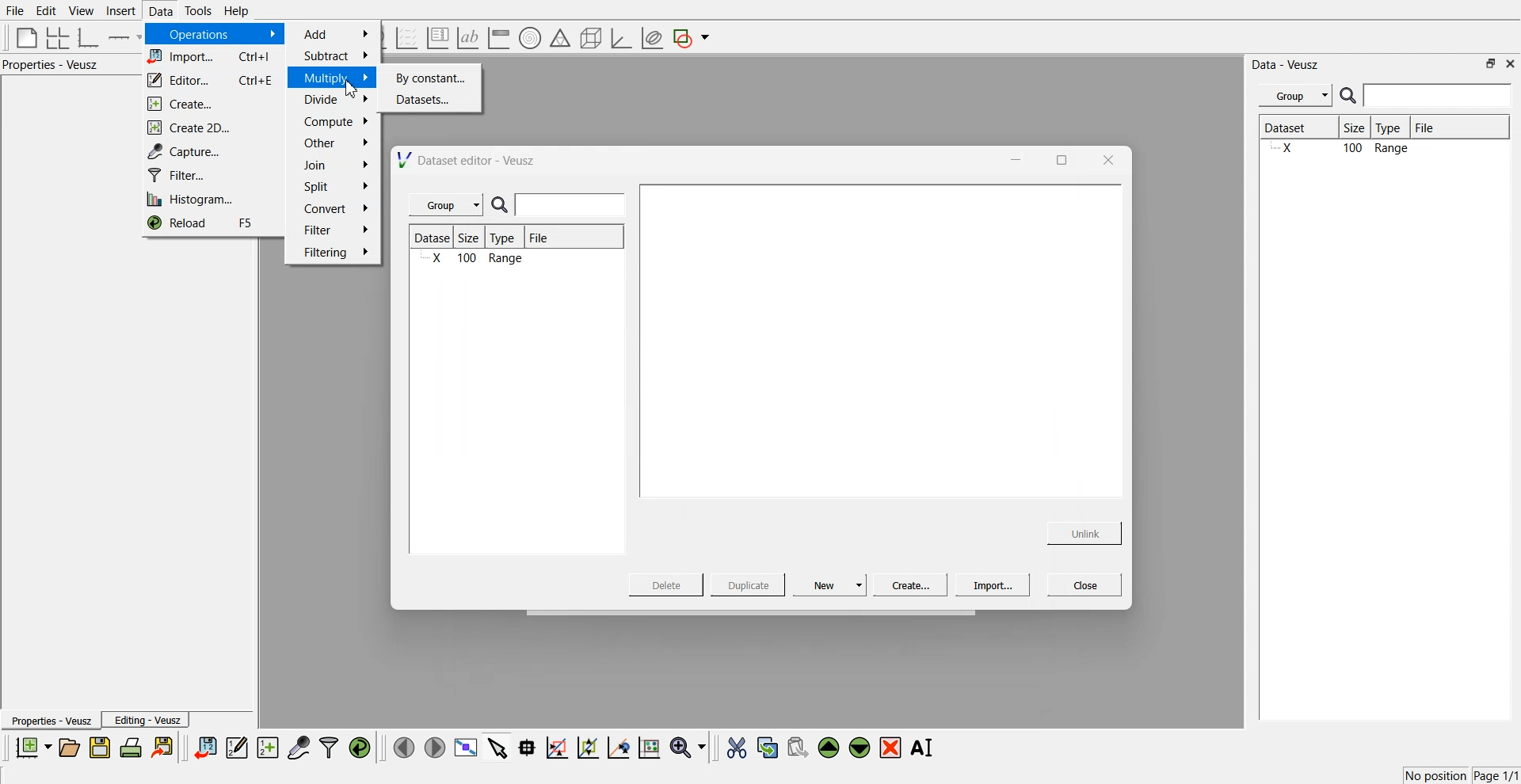  I want to click on arrange graphs, so click(55, 37).